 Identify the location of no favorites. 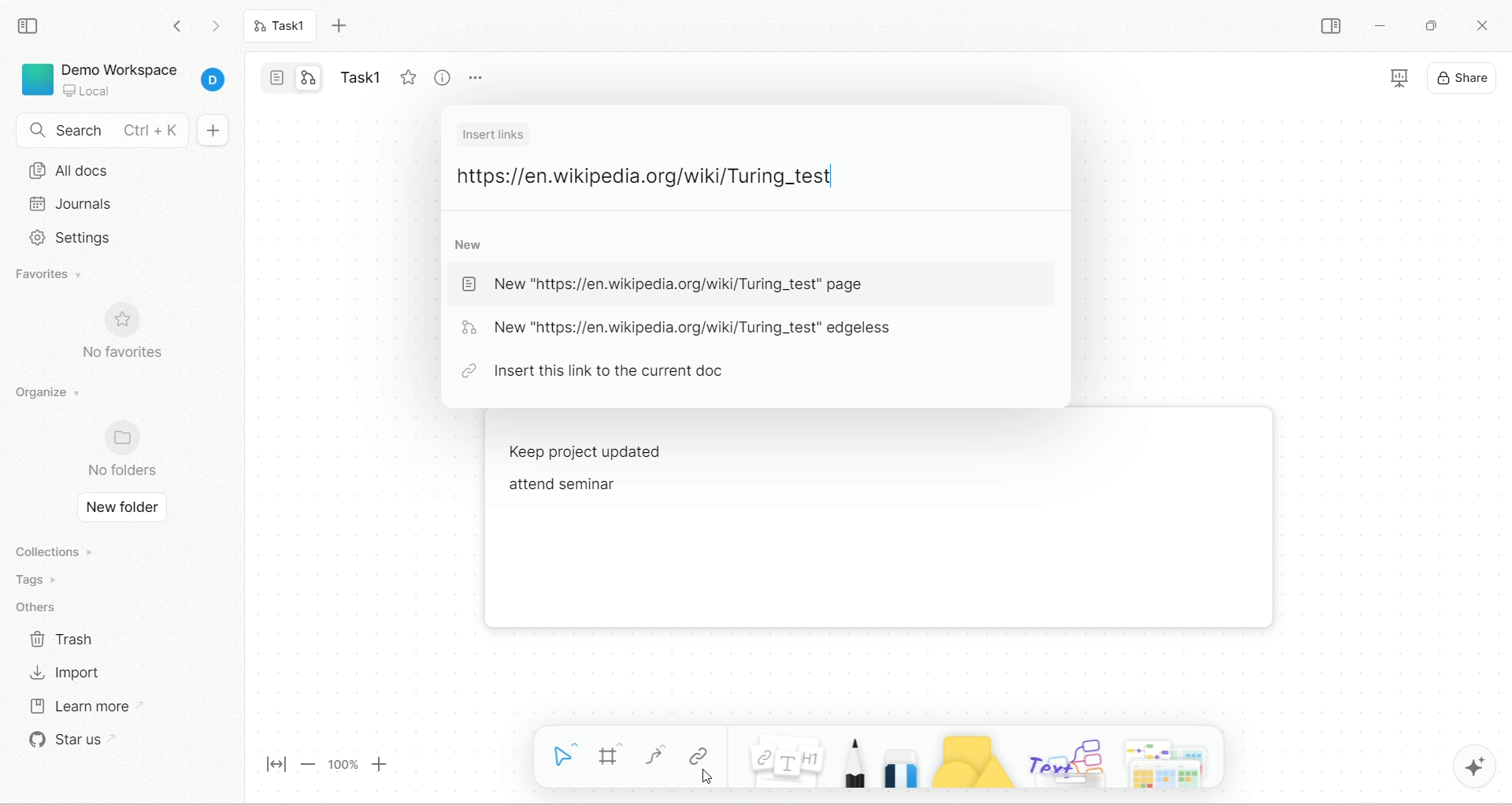
(135, 335).